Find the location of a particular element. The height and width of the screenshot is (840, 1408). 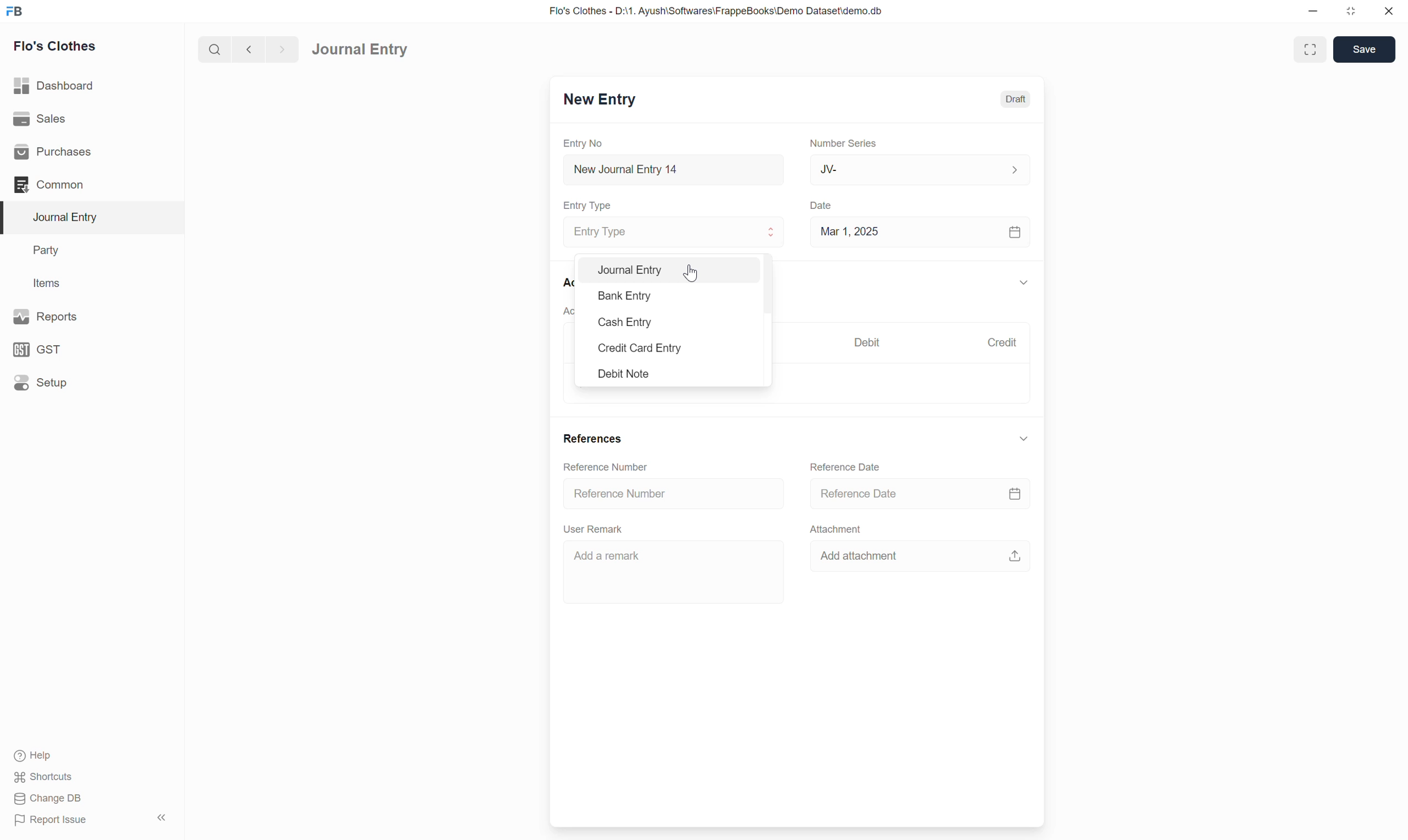

Sales is located at coordinates (39, 117).